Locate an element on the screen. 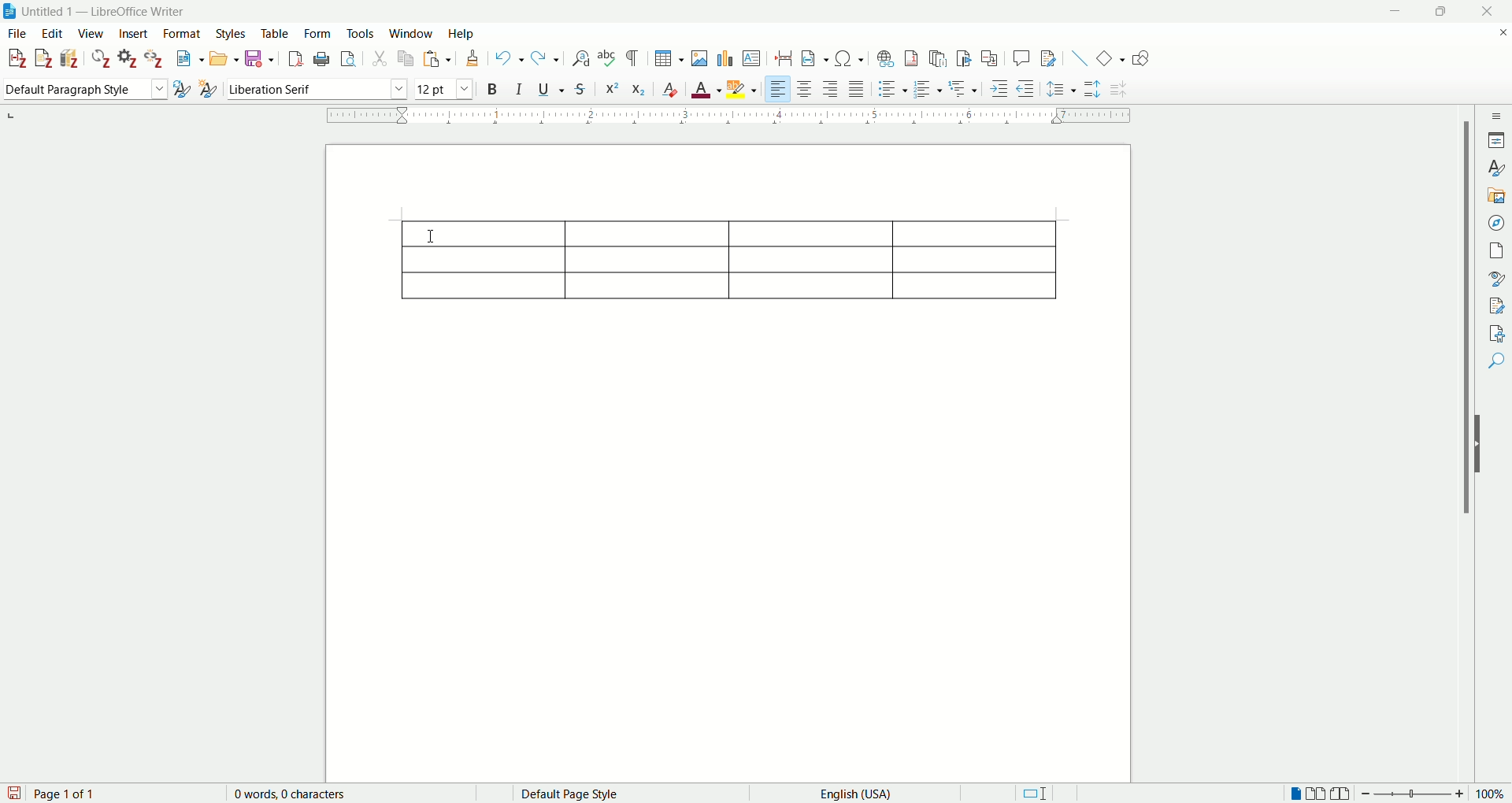 Image resolution: width=1512 pixels, height=803 pixels. sidebar is located at coordinates (1498, 117).